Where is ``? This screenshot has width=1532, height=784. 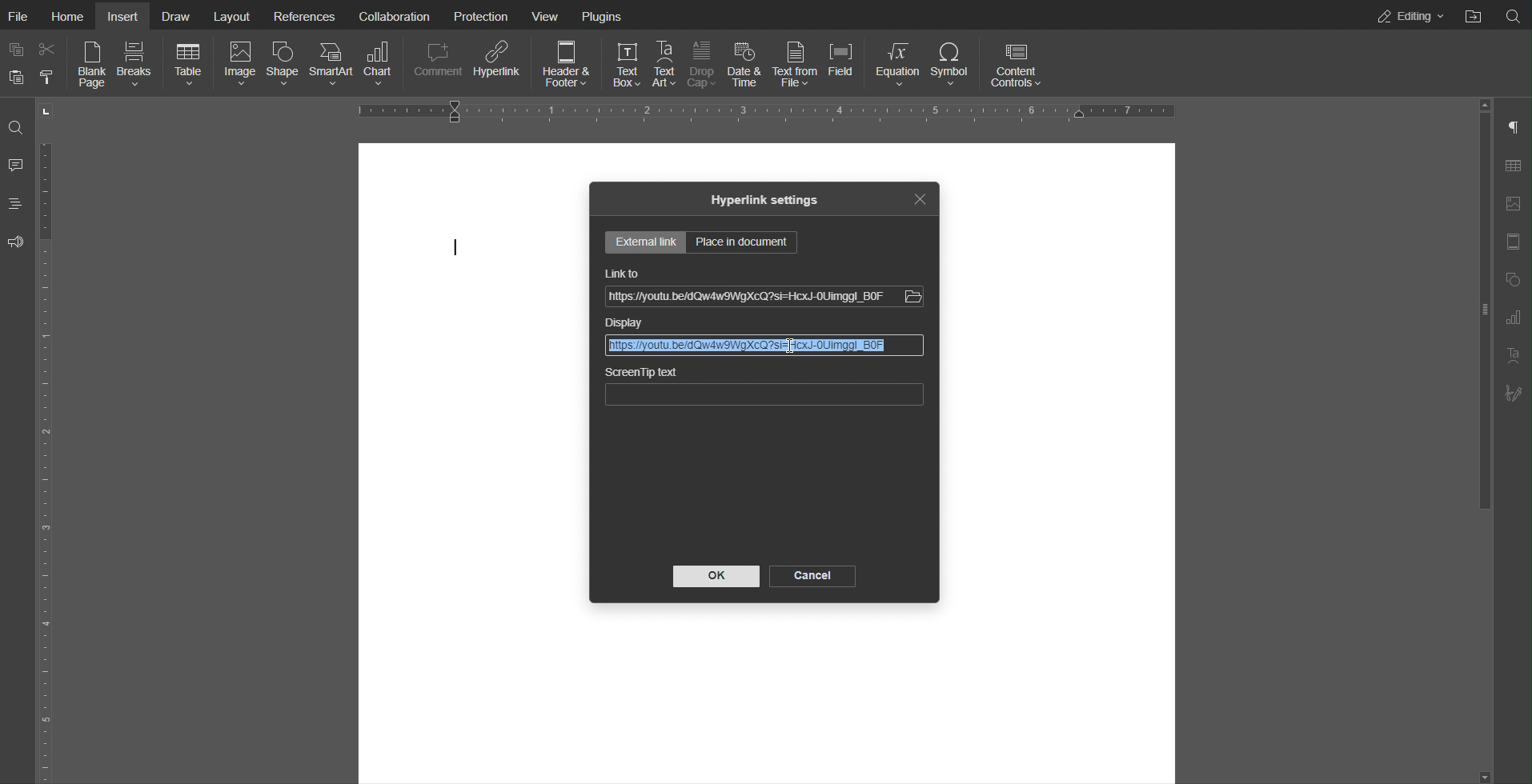
 is located at coordinates (912, 297).